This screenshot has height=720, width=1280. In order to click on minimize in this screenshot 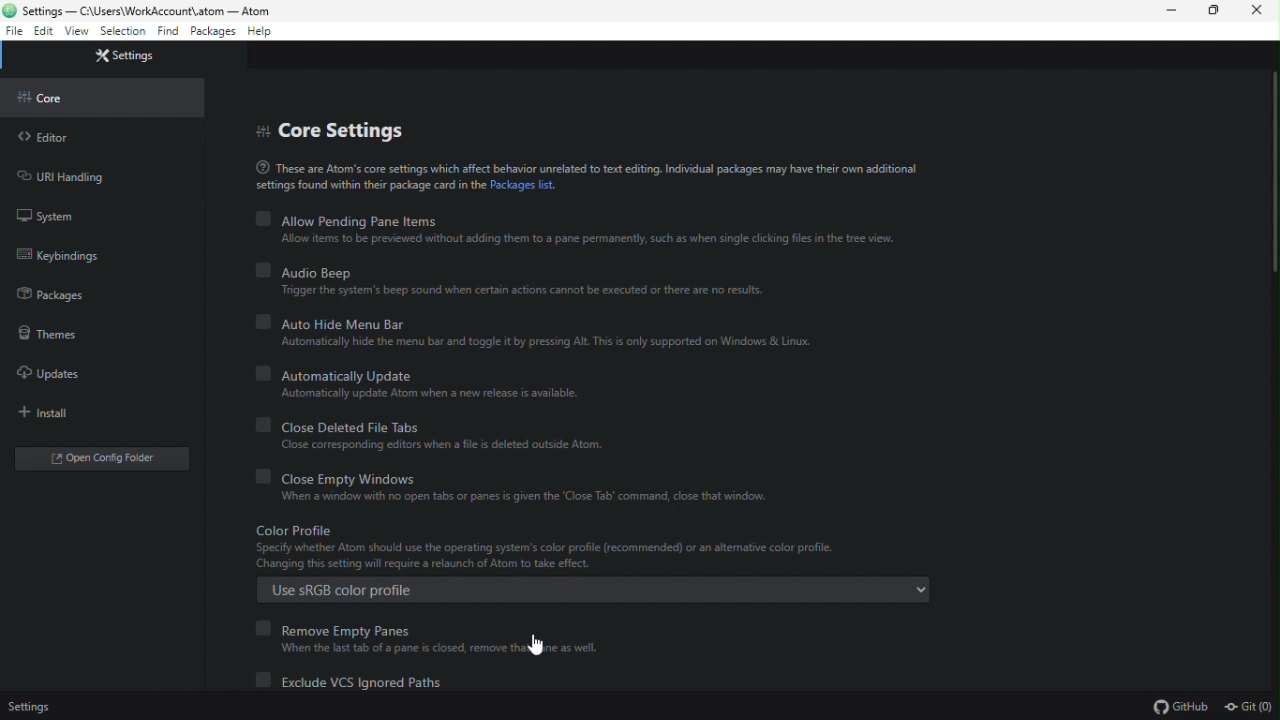, I will do `click(1171, 13)`.